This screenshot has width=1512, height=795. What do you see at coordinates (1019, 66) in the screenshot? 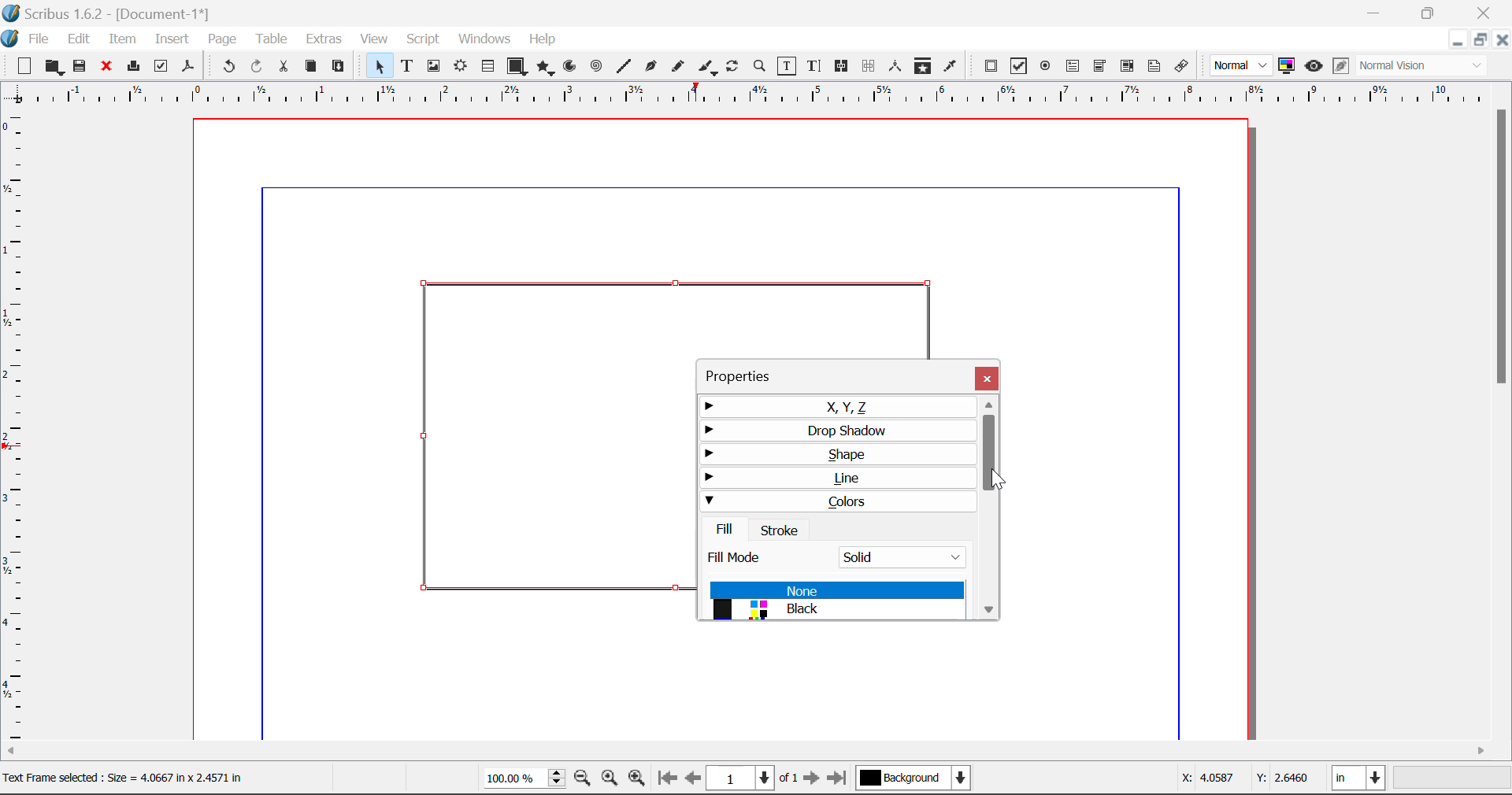
I see `Pdf Checkbox` at bounding box center [1019, 66].